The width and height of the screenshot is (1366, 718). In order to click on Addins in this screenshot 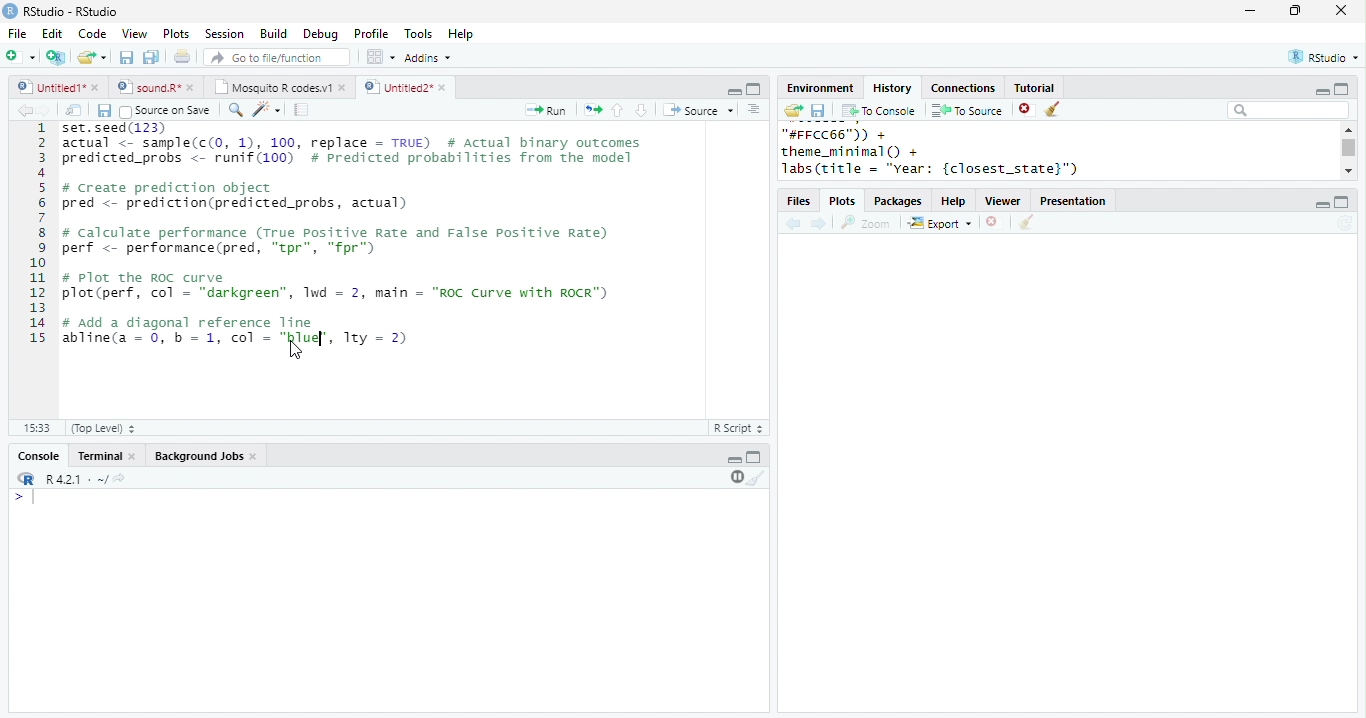, I will do `click(428, 58)`.